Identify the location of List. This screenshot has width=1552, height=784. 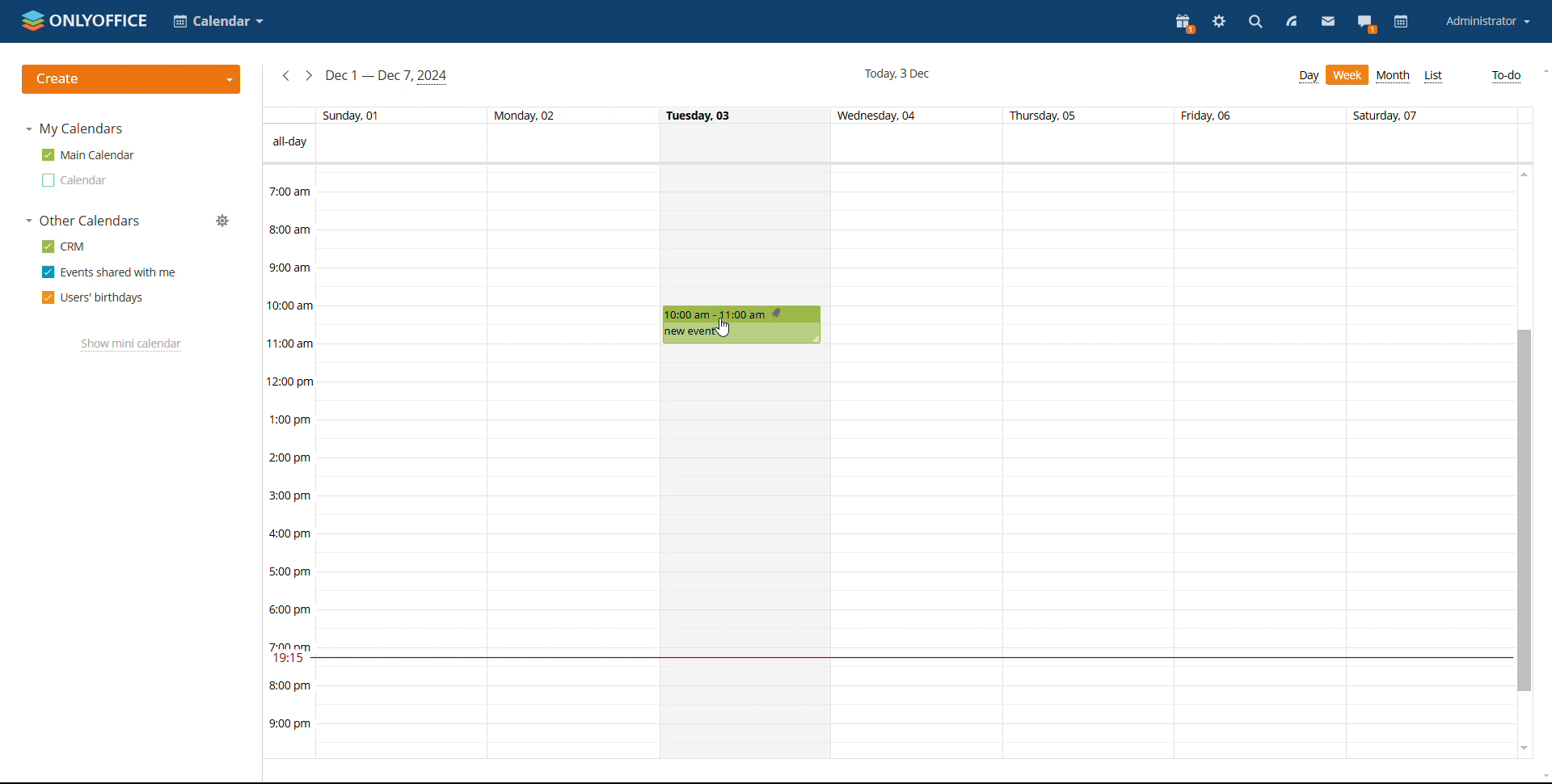
(1435, 77).